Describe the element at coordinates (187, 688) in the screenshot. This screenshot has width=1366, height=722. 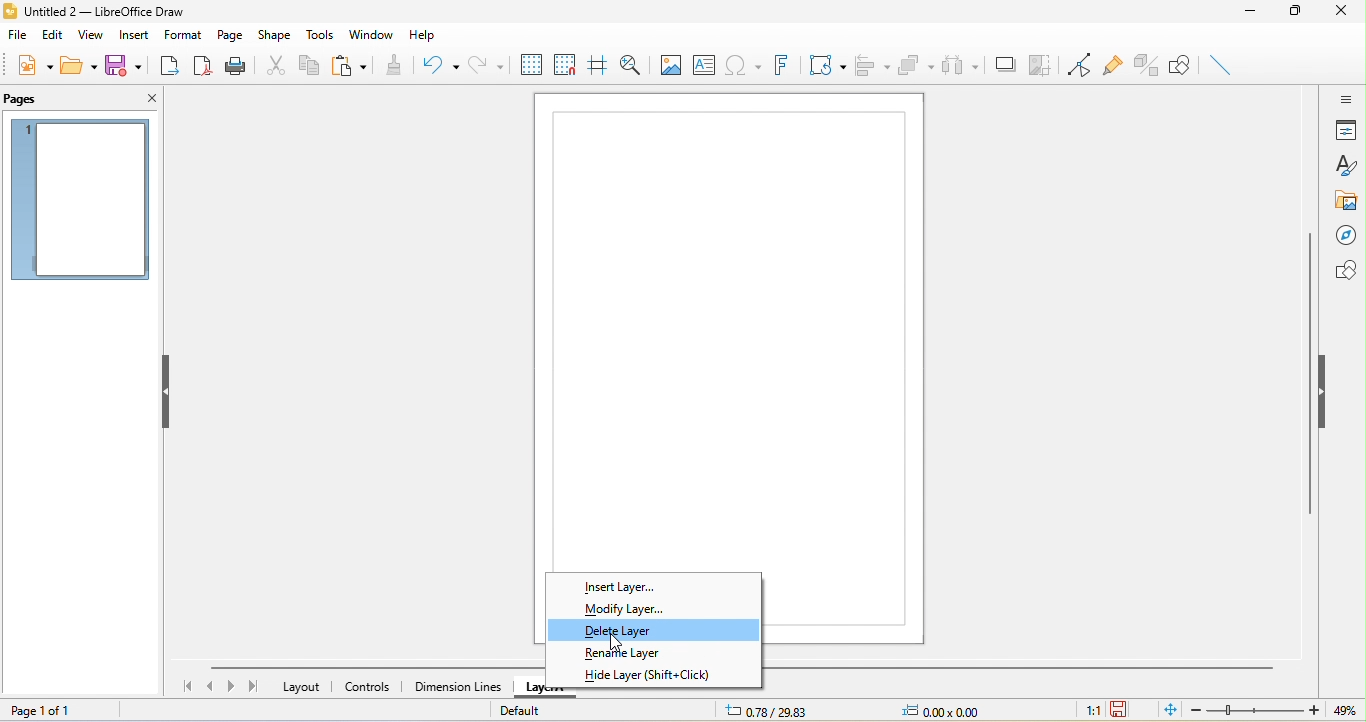
I see `first page` at that location.